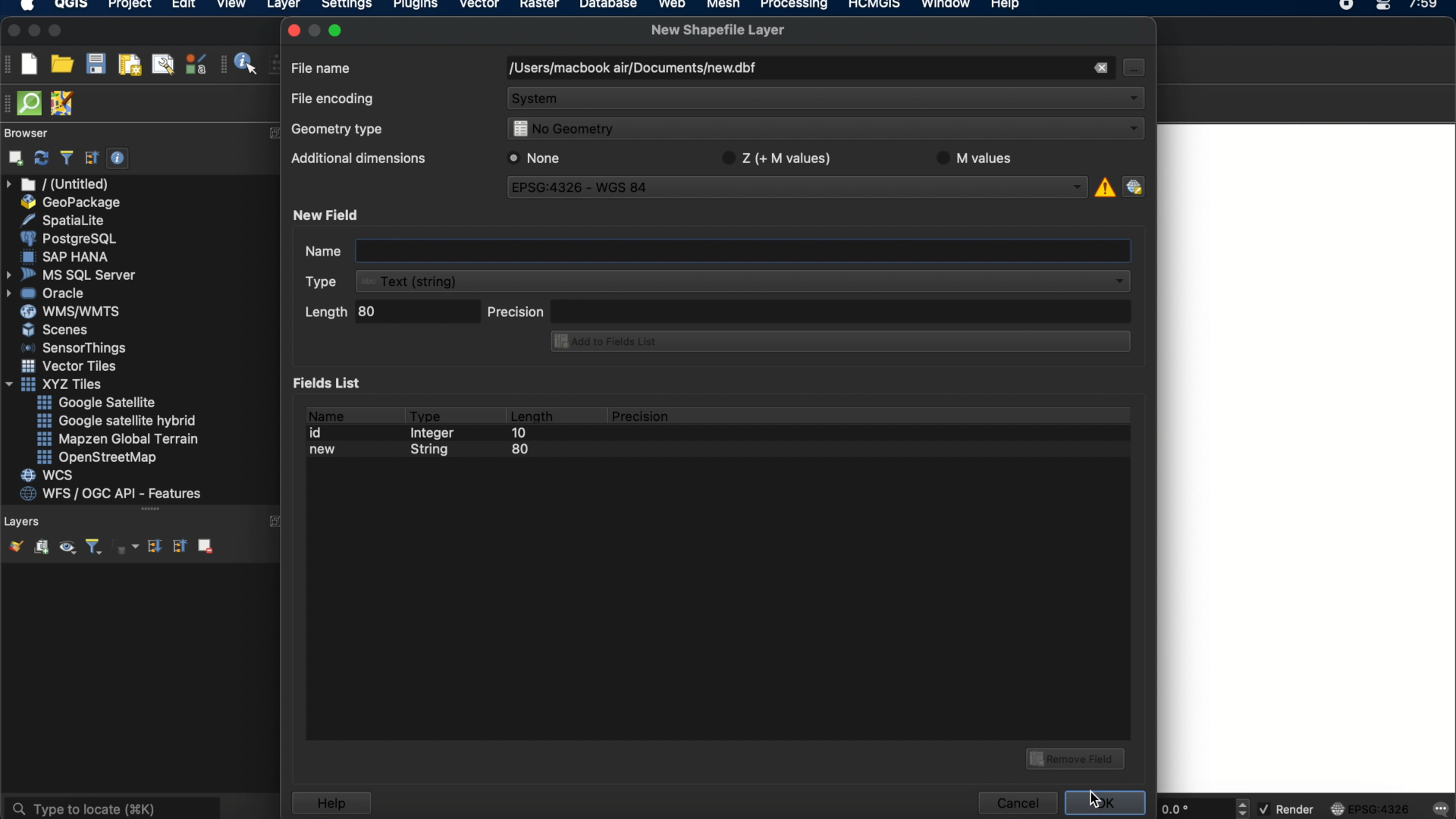  I want to click on new project, so click(29, 64).